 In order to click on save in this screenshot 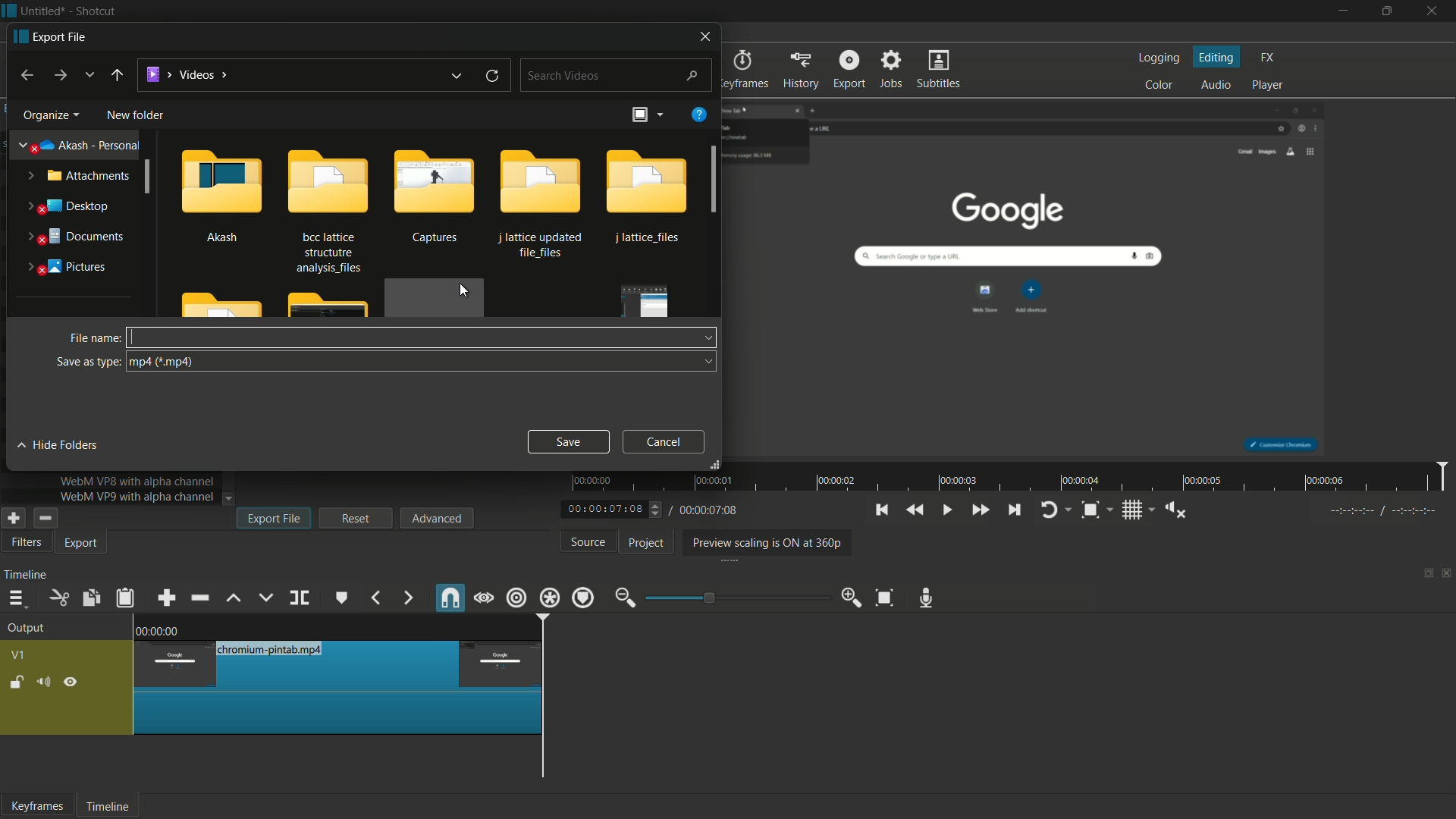, I will do `click(567, 440)`.